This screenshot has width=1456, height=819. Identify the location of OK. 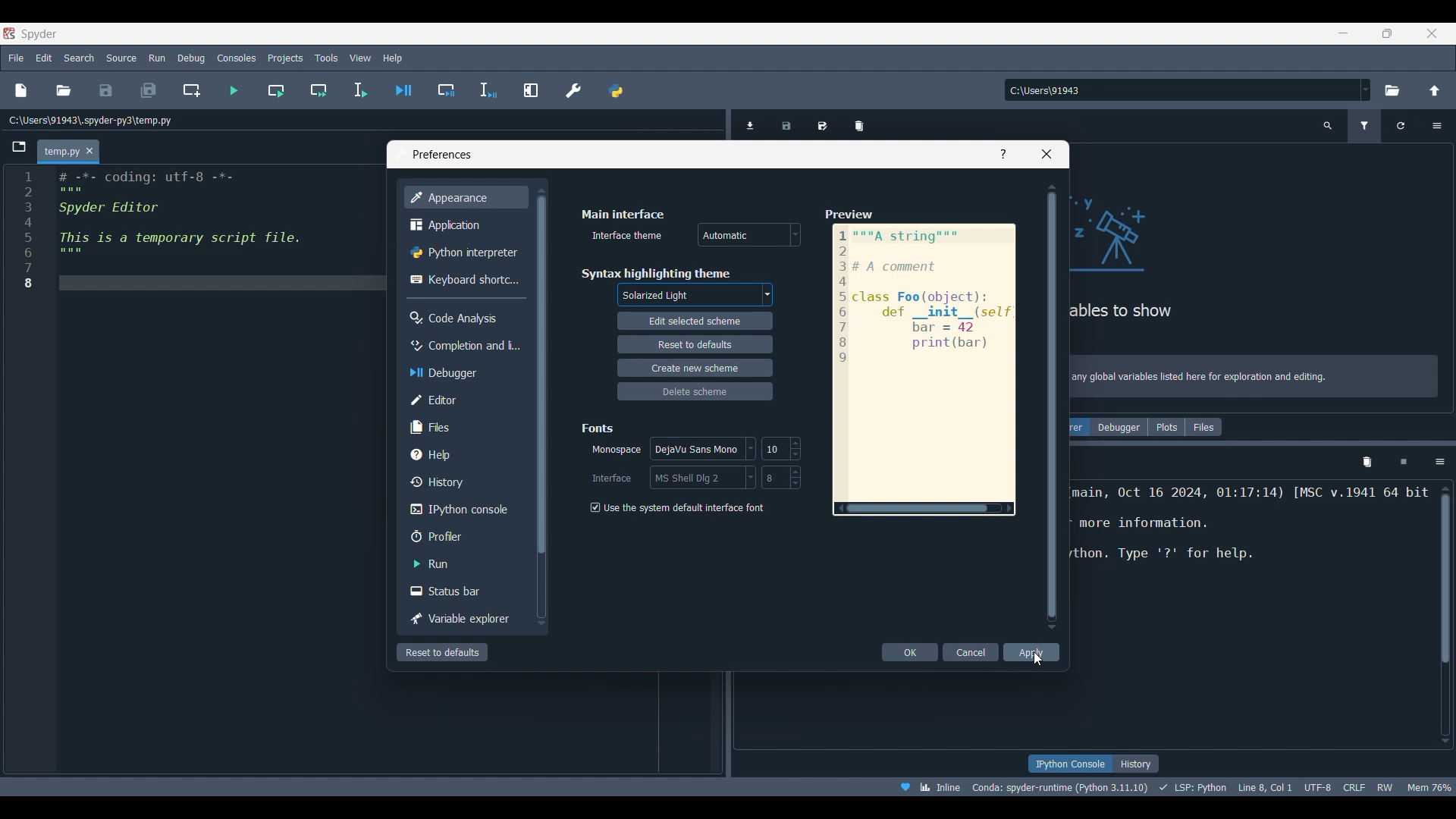
(909, 652).